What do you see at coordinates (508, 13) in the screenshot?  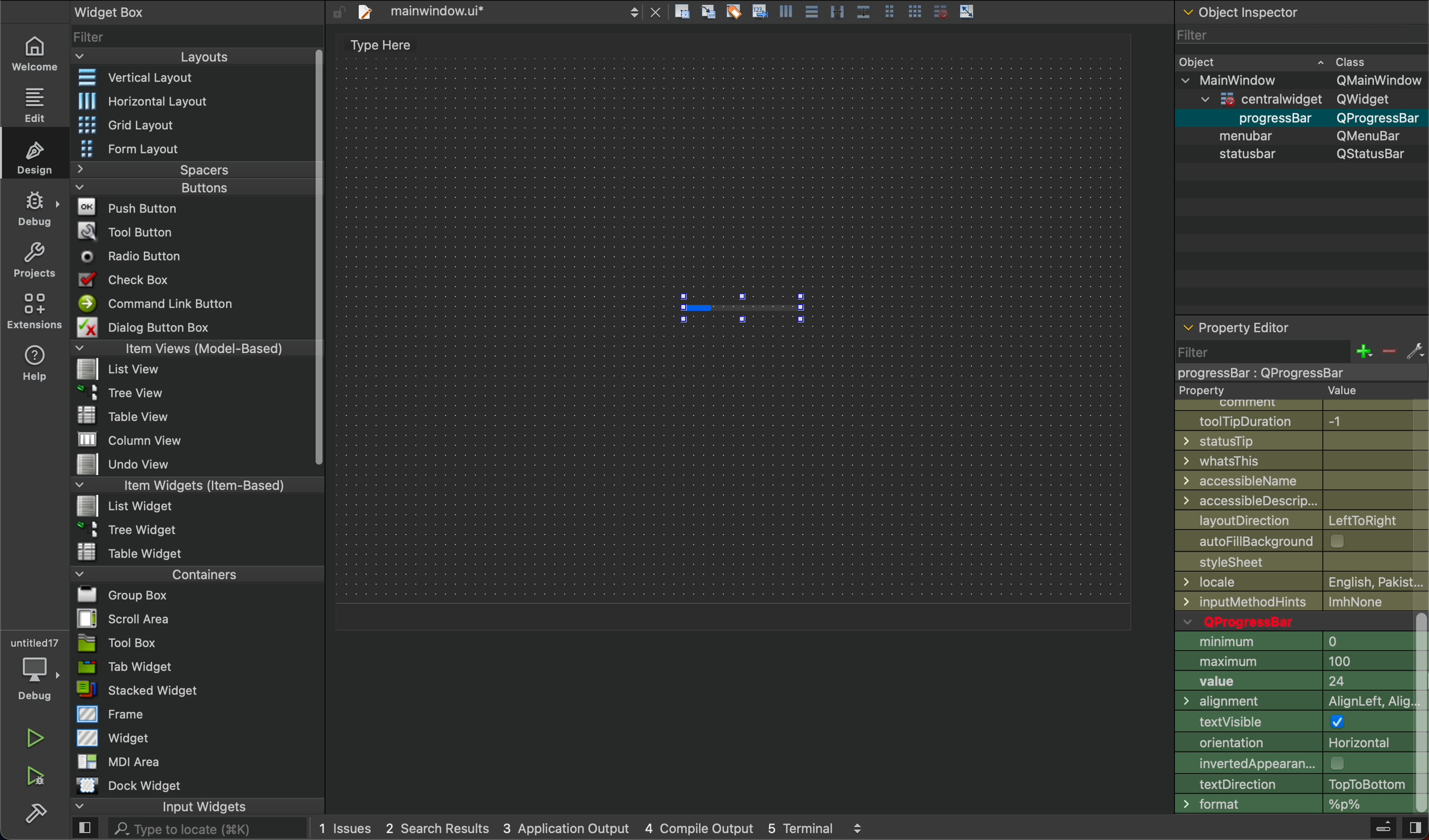 I see `file tab` at bounding box center [508, 13].